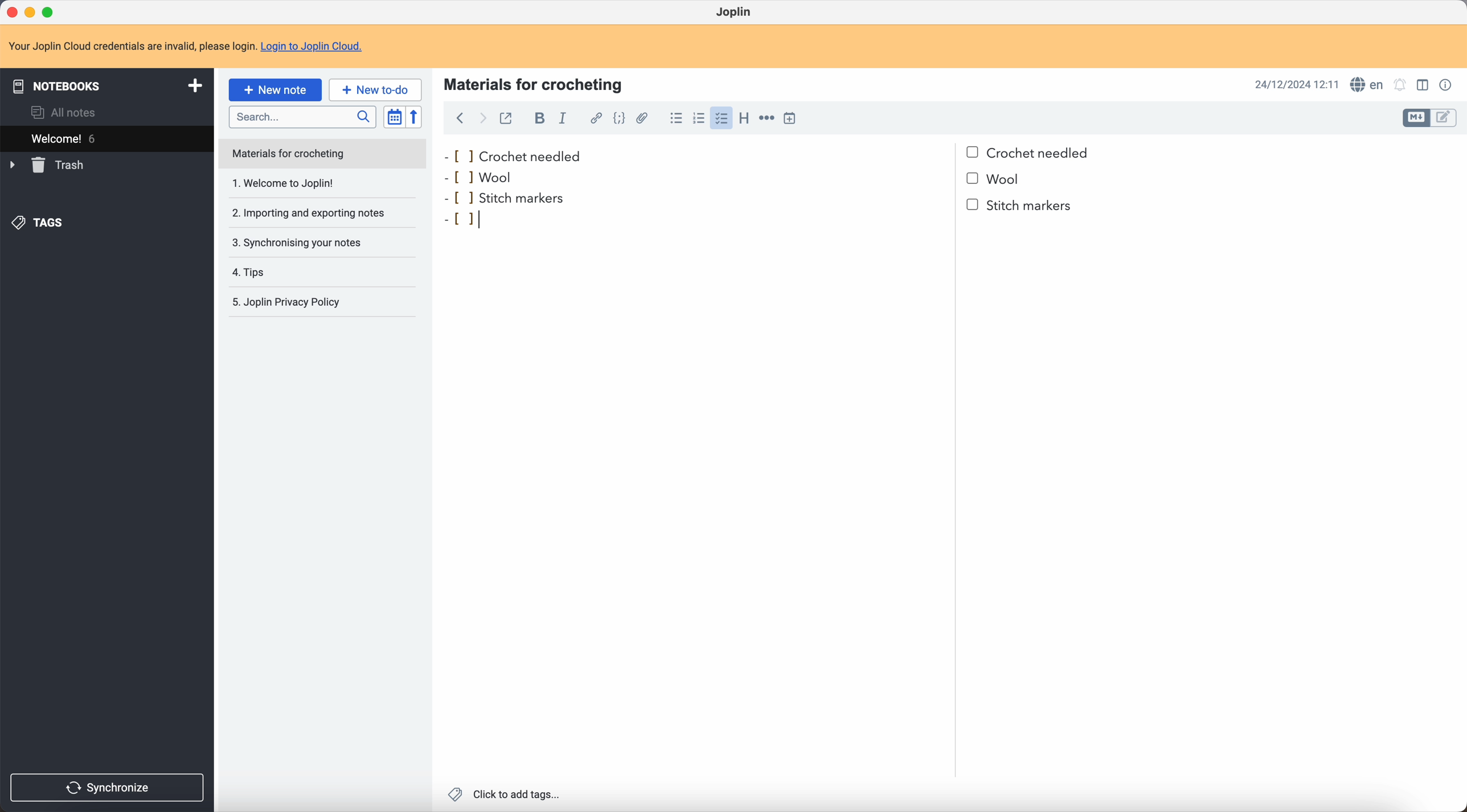 This screenshot has width=1467, height=812. Describe the element at coordinates (1416, 118) in the screenshot. I see `toggle edit layout` at that location.